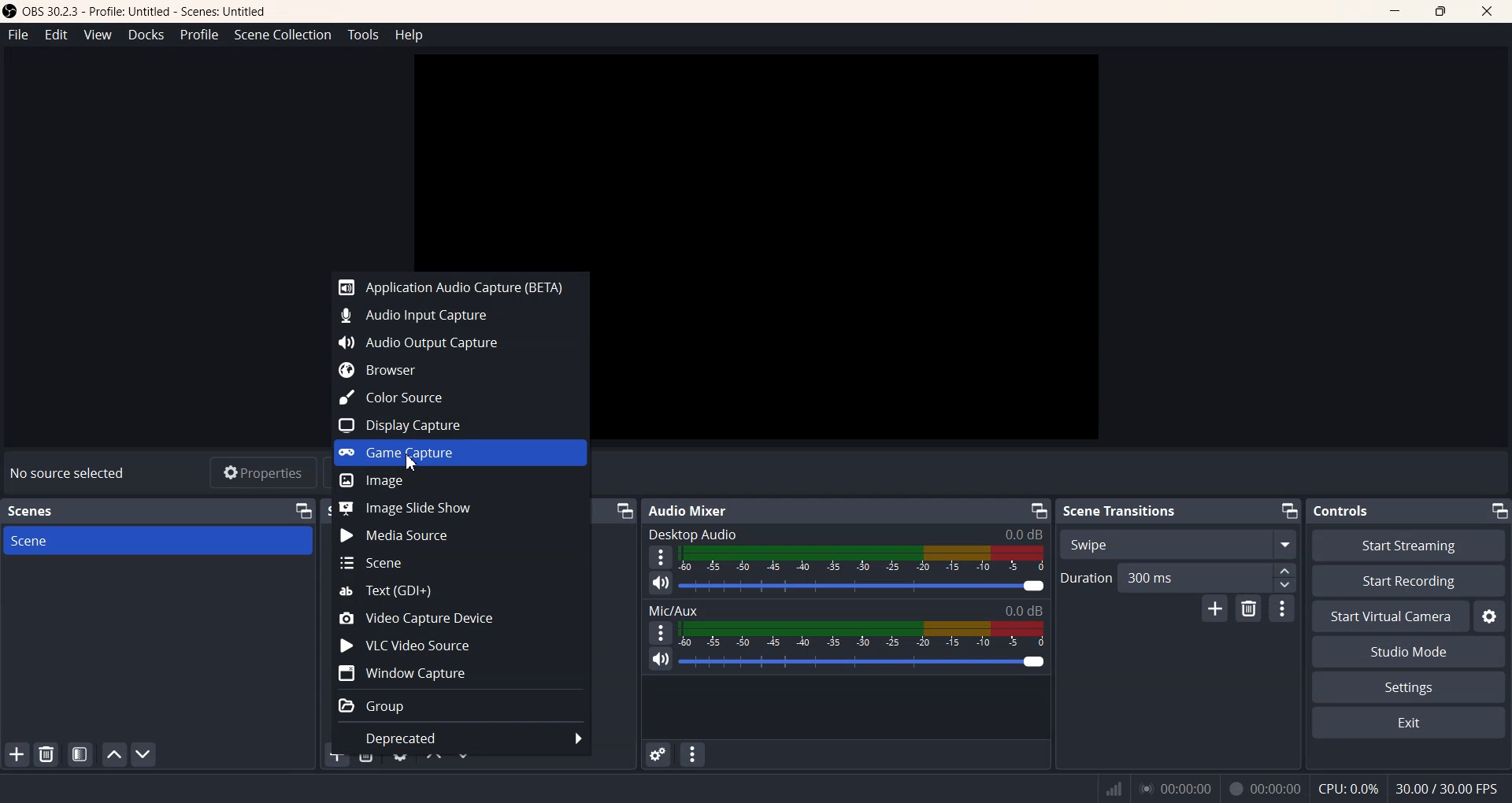  What do you see at coordinates (366, 753) in the screenshot?
I see `Remove Sources` at bounding box center [366, 753].